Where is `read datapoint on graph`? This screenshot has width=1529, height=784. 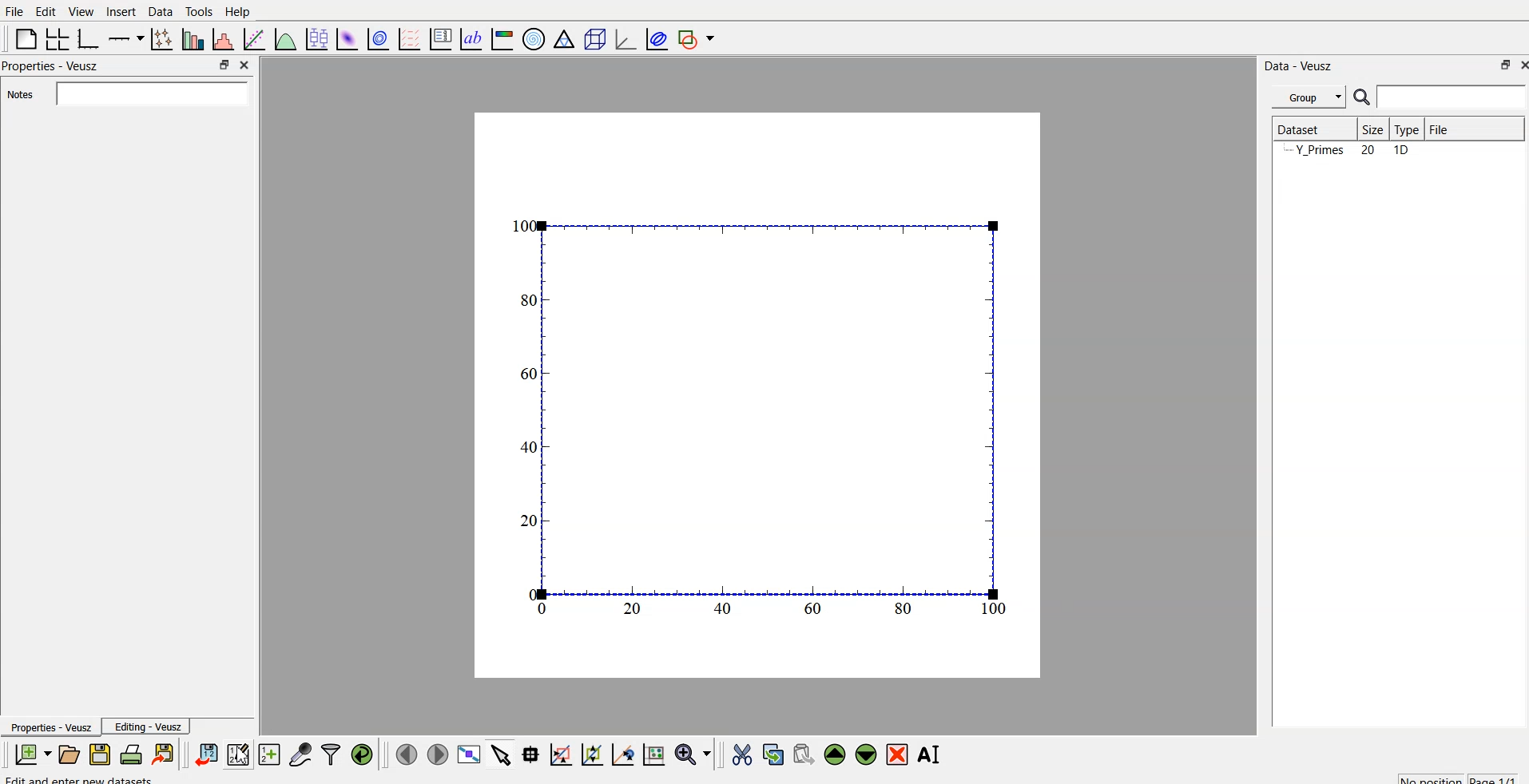
read datapoint on graph is located at coordinates (529, 754).